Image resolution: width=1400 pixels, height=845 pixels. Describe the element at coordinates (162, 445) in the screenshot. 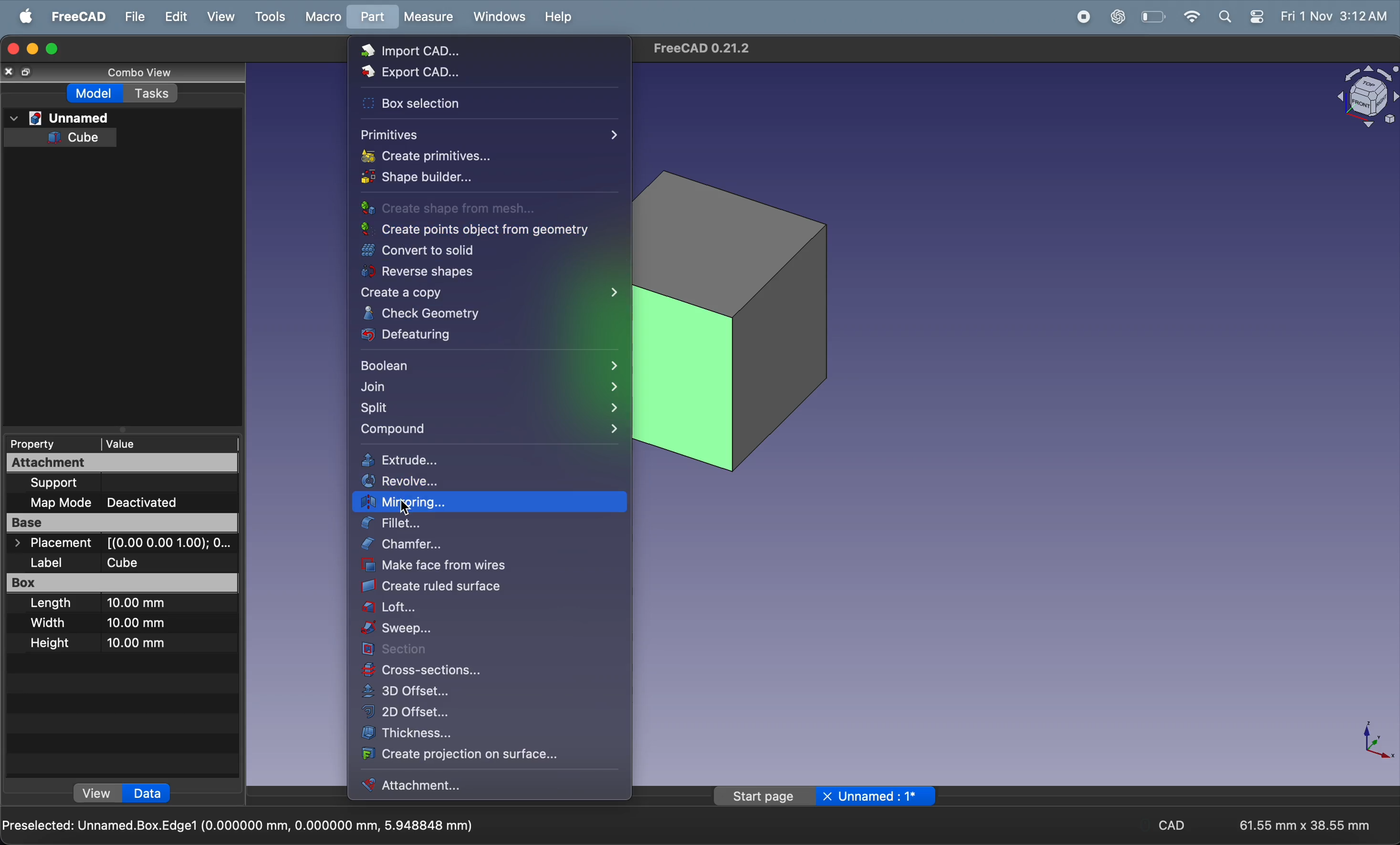

I see `value` at that location.